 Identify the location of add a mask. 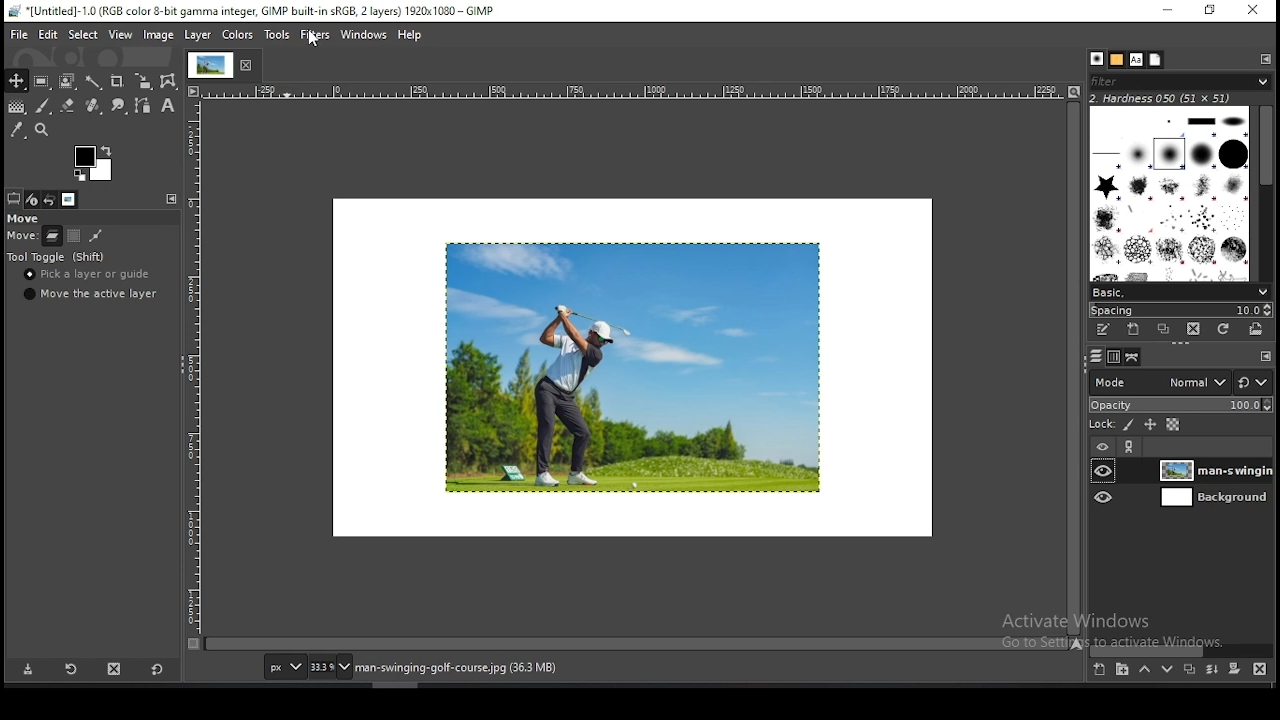
(1236, 669).